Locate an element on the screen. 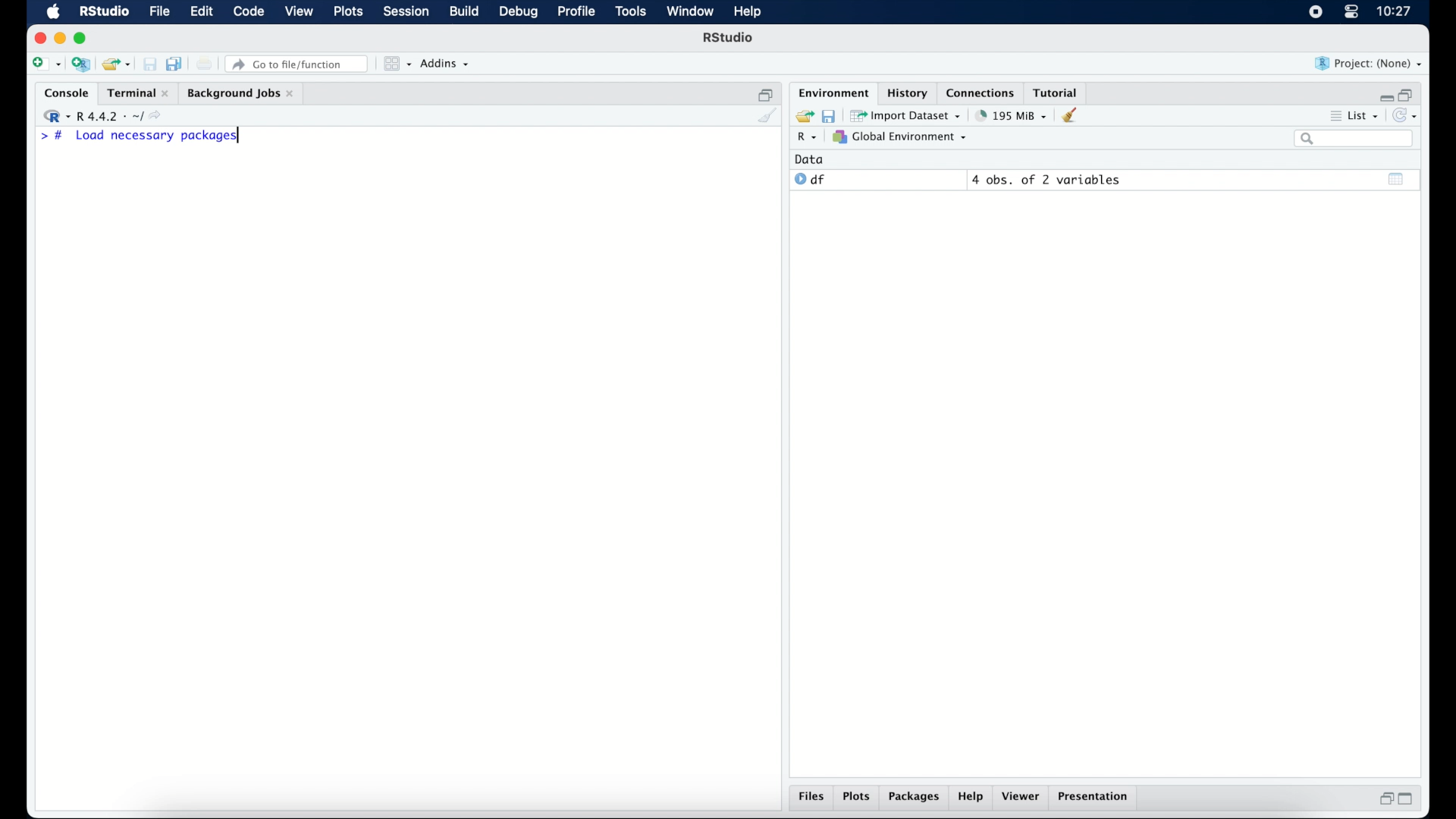  project (none) is located at coordinates (1370, 64).